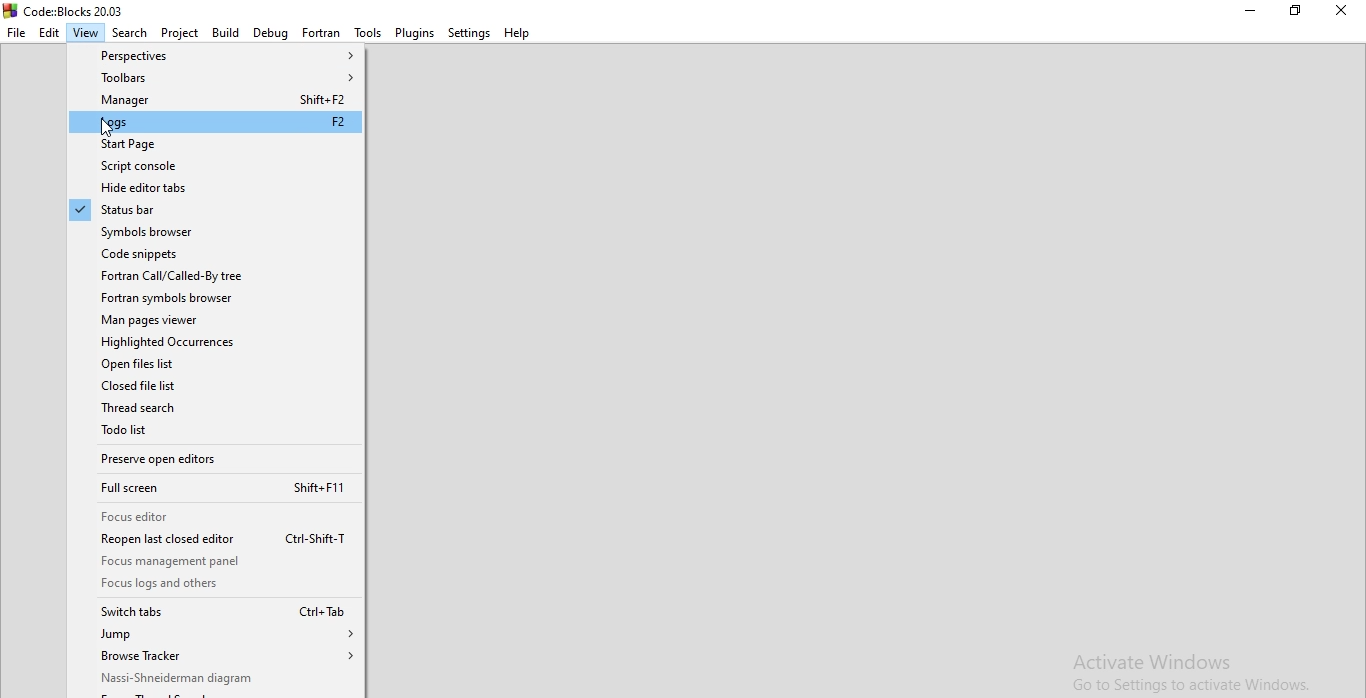 This screenshot has height=698, width=1366. I want to click on Build , so click(223, 32).